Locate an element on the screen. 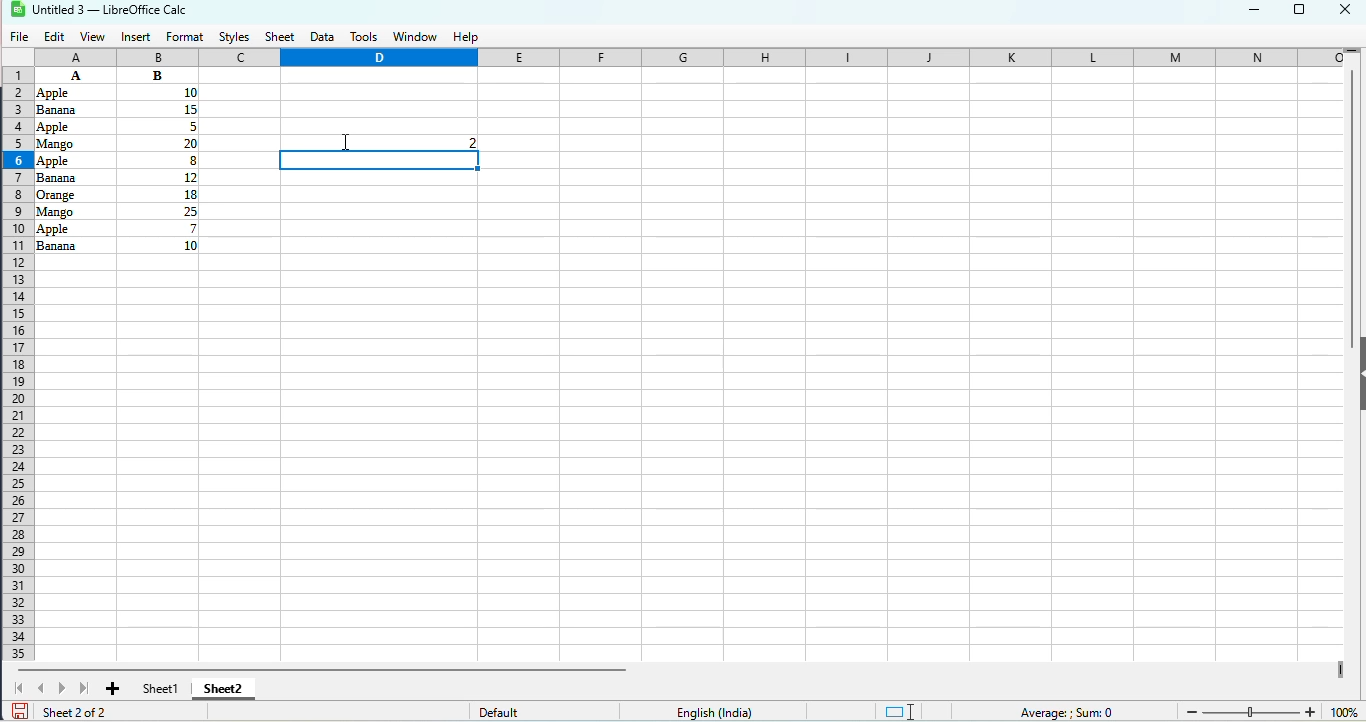 This screenshot has width=1366, height=722. logo is located at coordinates (17, 10).